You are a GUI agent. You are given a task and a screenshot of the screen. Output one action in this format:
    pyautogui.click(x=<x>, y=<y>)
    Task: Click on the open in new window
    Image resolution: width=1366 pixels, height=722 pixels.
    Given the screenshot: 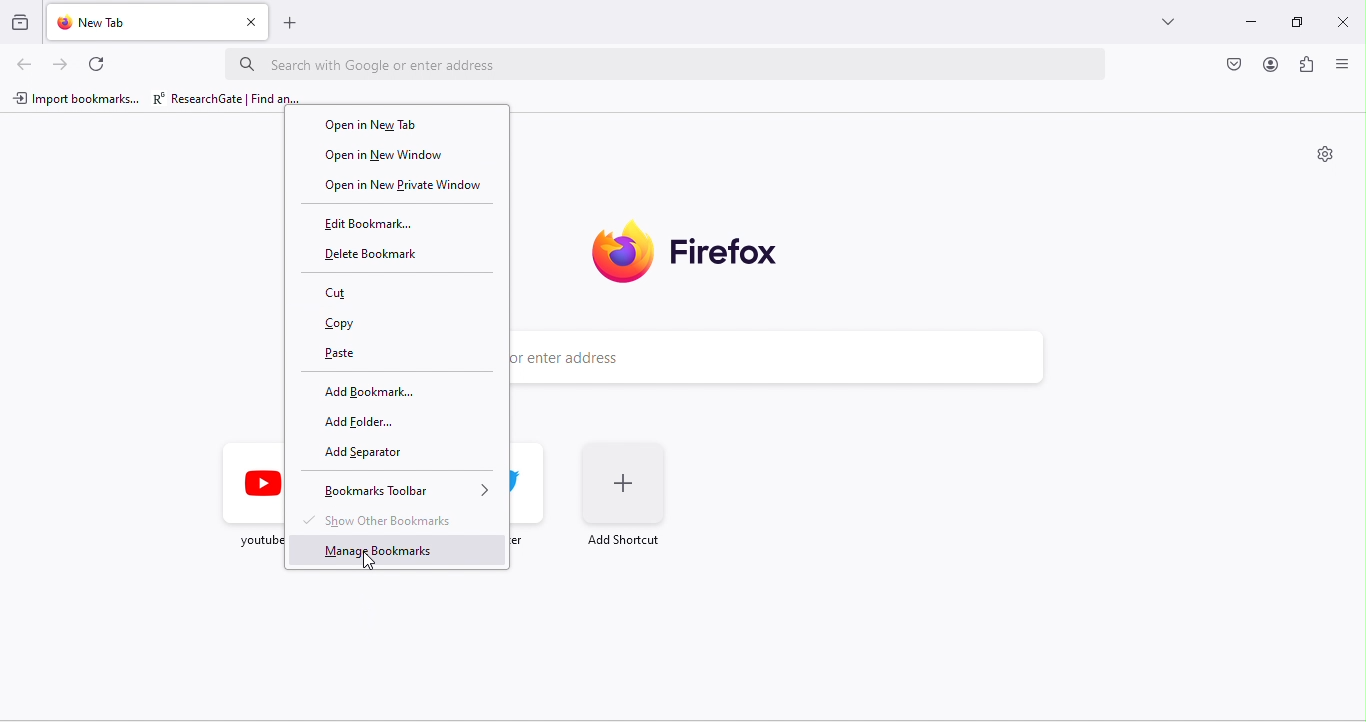 What is the action you would take?
    pyautogui.click(x=401, y=157)
    